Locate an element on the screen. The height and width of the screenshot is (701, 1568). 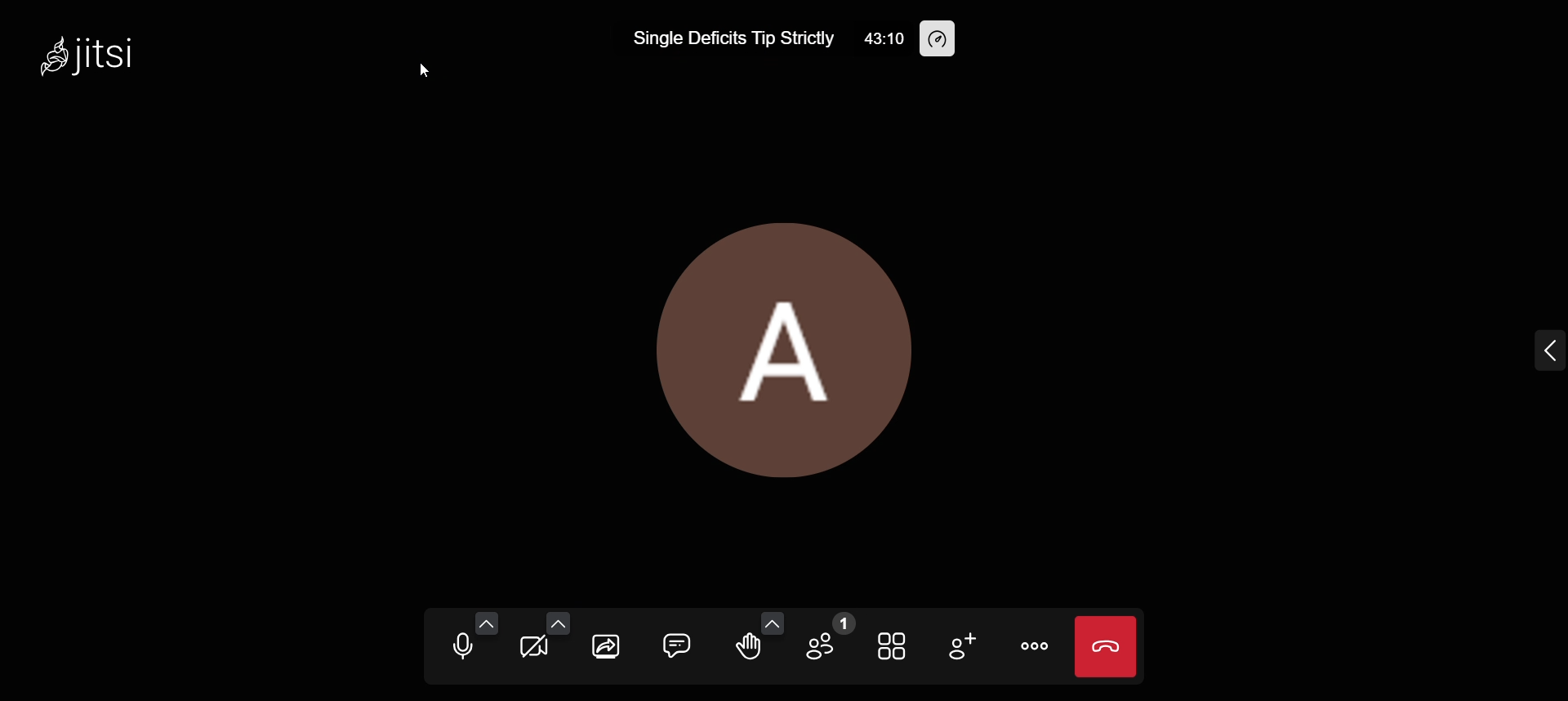
expand is located at coordinates (1539, 355).